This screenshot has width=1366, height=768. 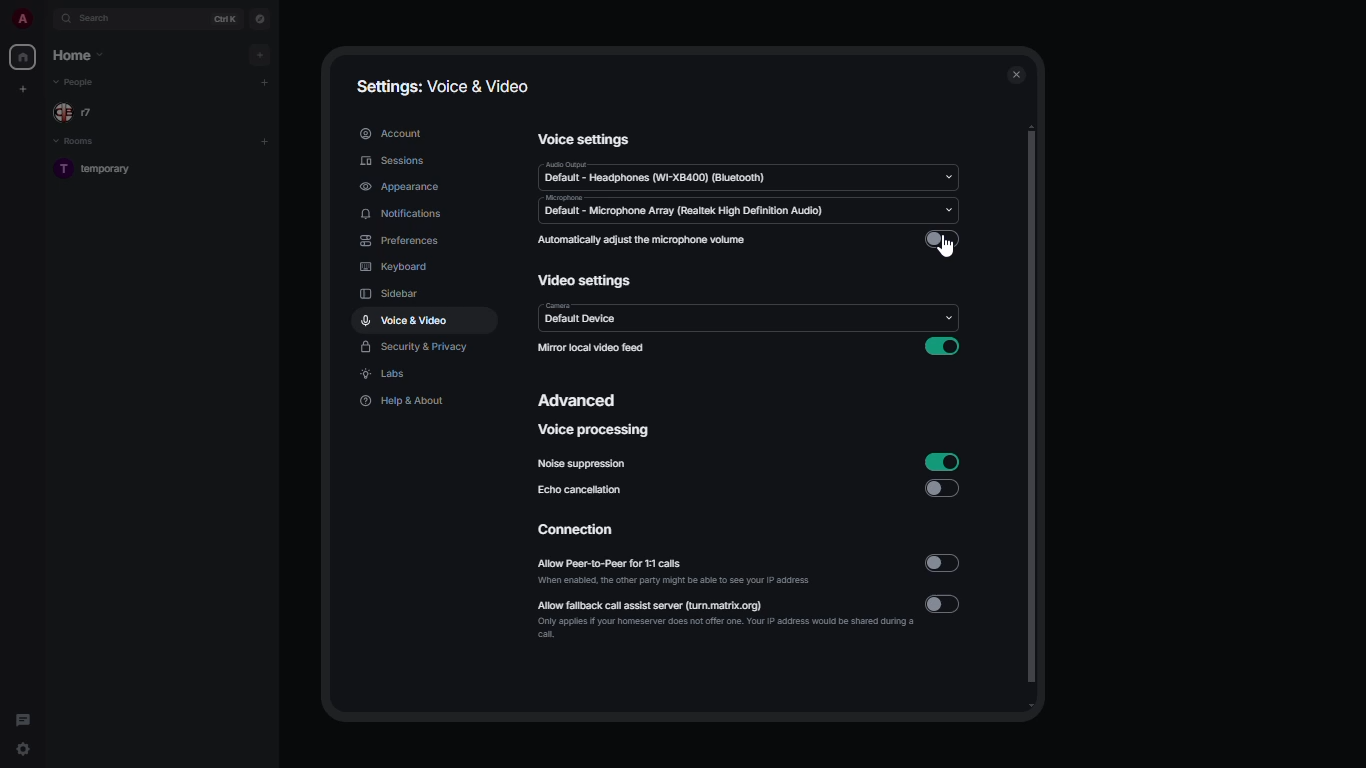 What do you see at coordinates (79, 83) in the screenshot?
I see `people` at bounding box center [79, 83].